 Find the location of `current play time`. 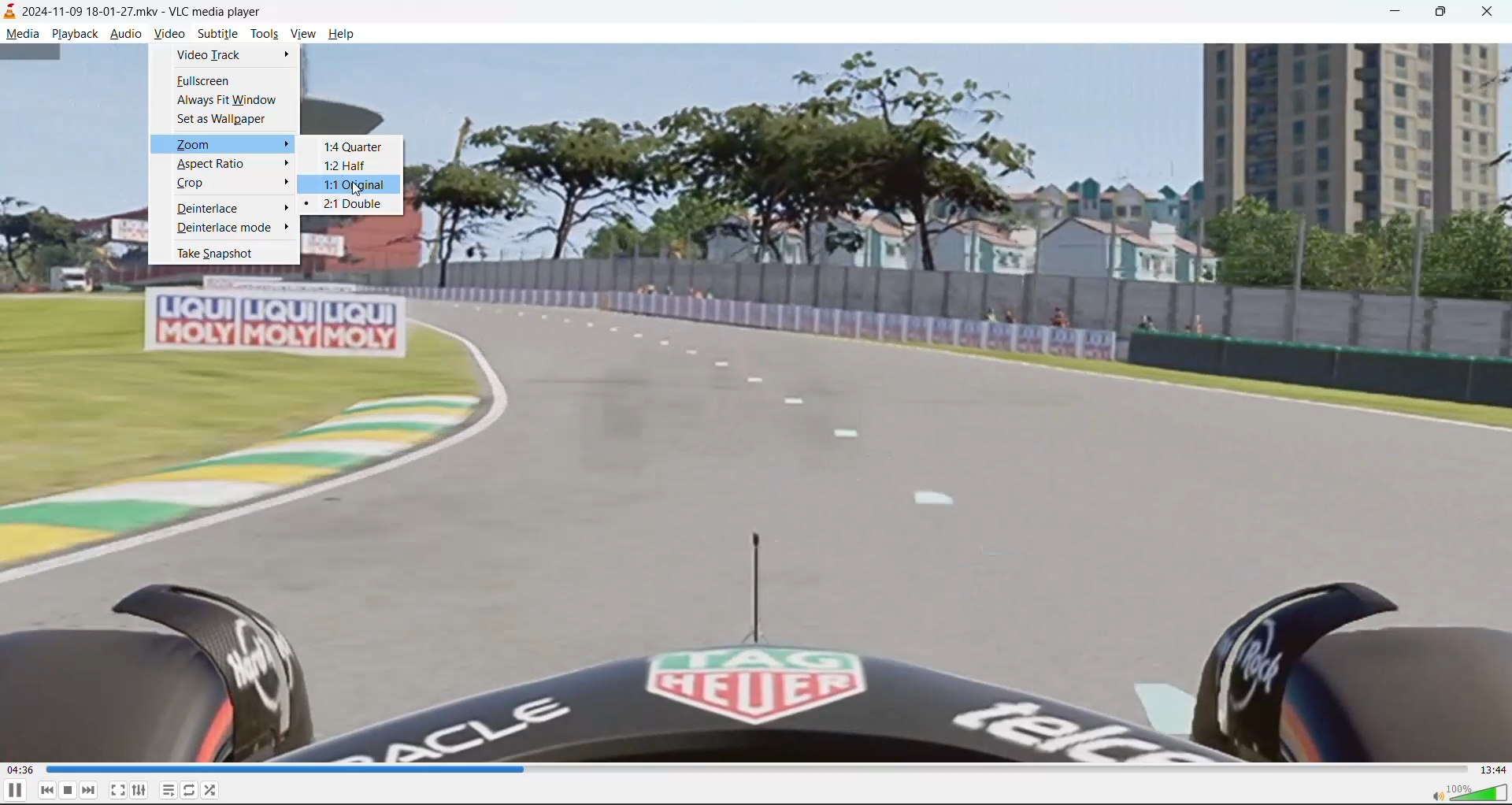

current play time is located at coordinates (21, 769).